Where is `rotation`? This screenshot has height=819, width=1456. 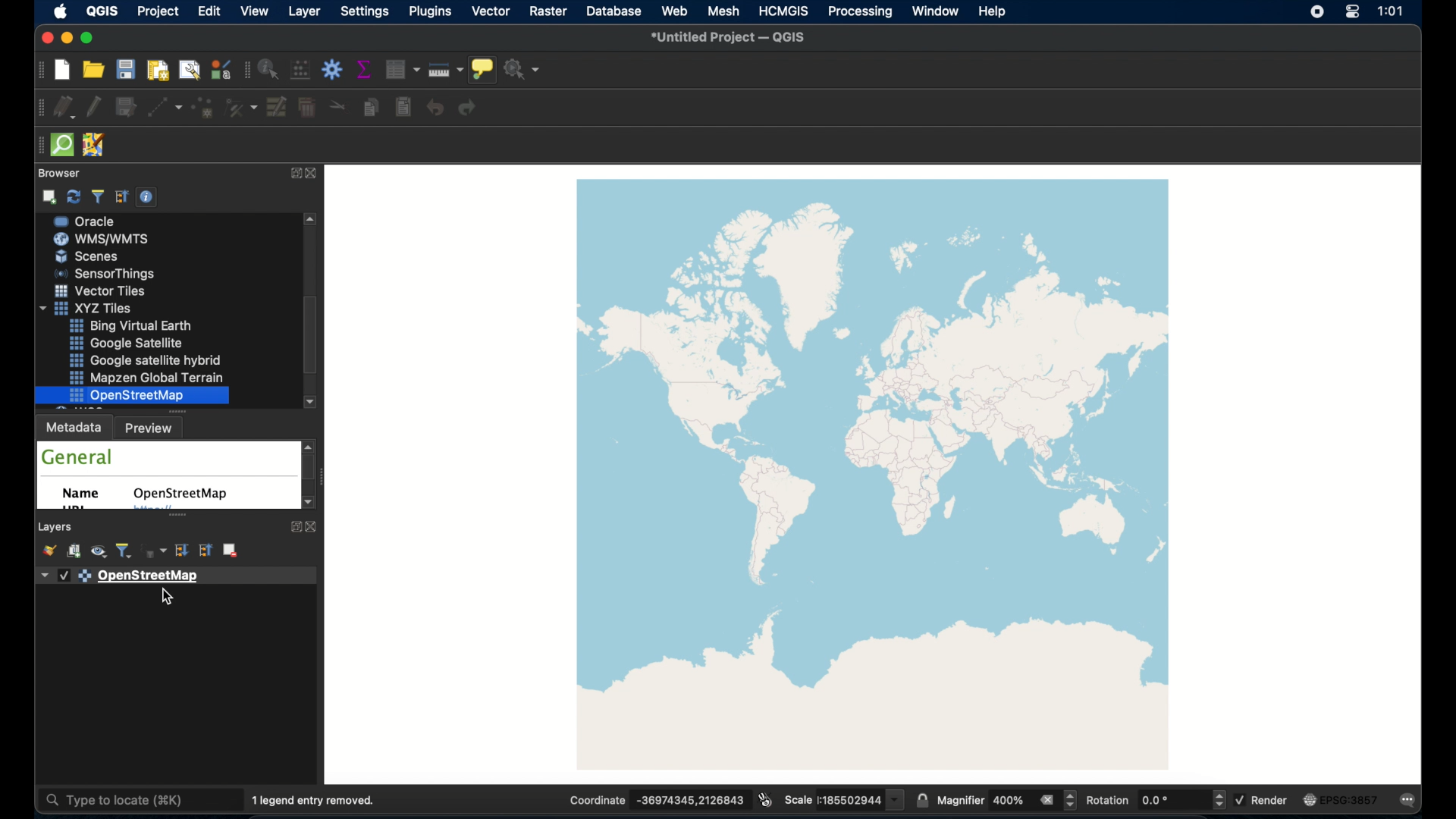
rotation is located at coordinates (1157, 800).